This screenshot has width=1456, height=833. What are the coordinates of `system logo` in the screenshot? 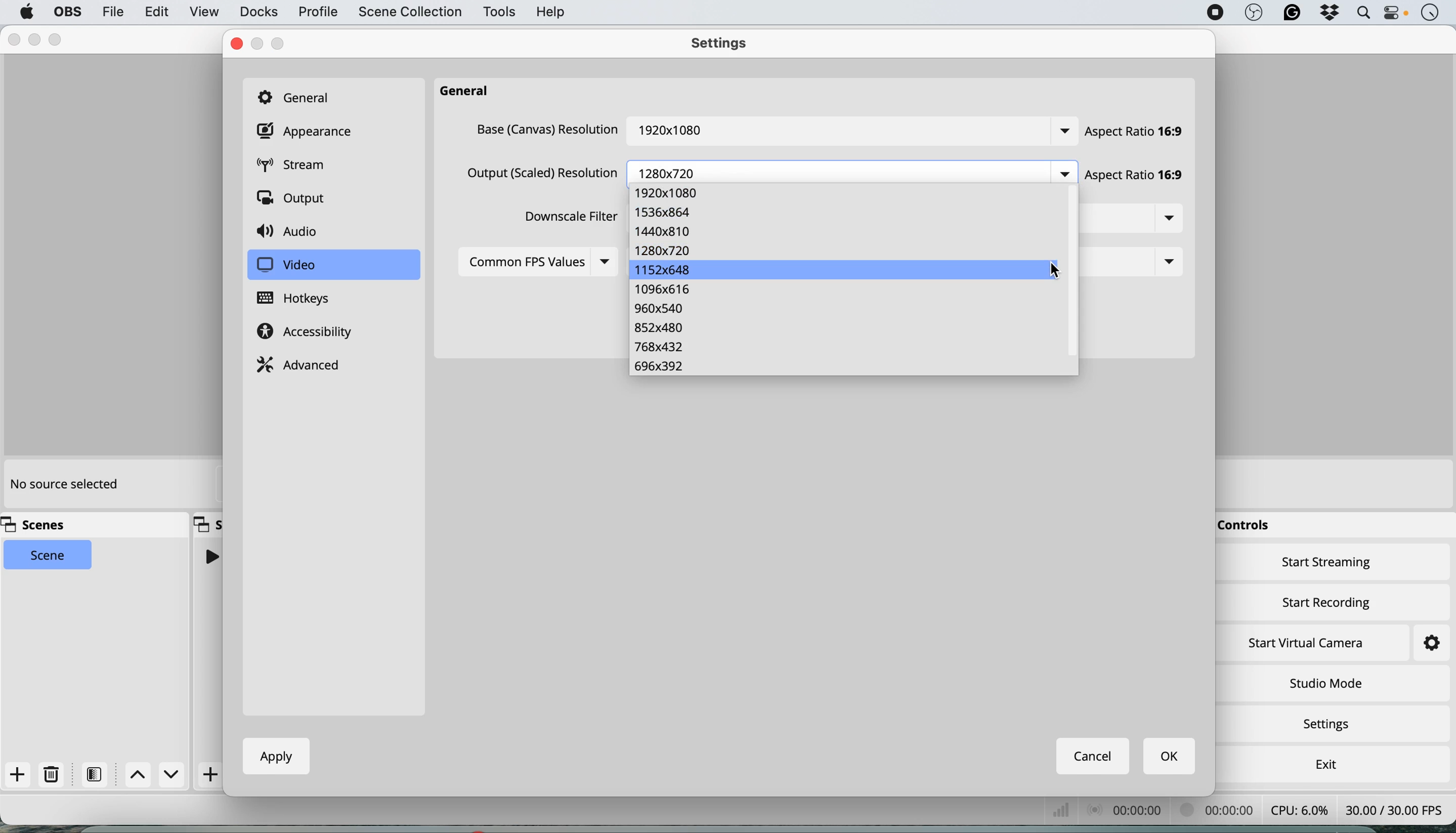 It's located at (27, 13).